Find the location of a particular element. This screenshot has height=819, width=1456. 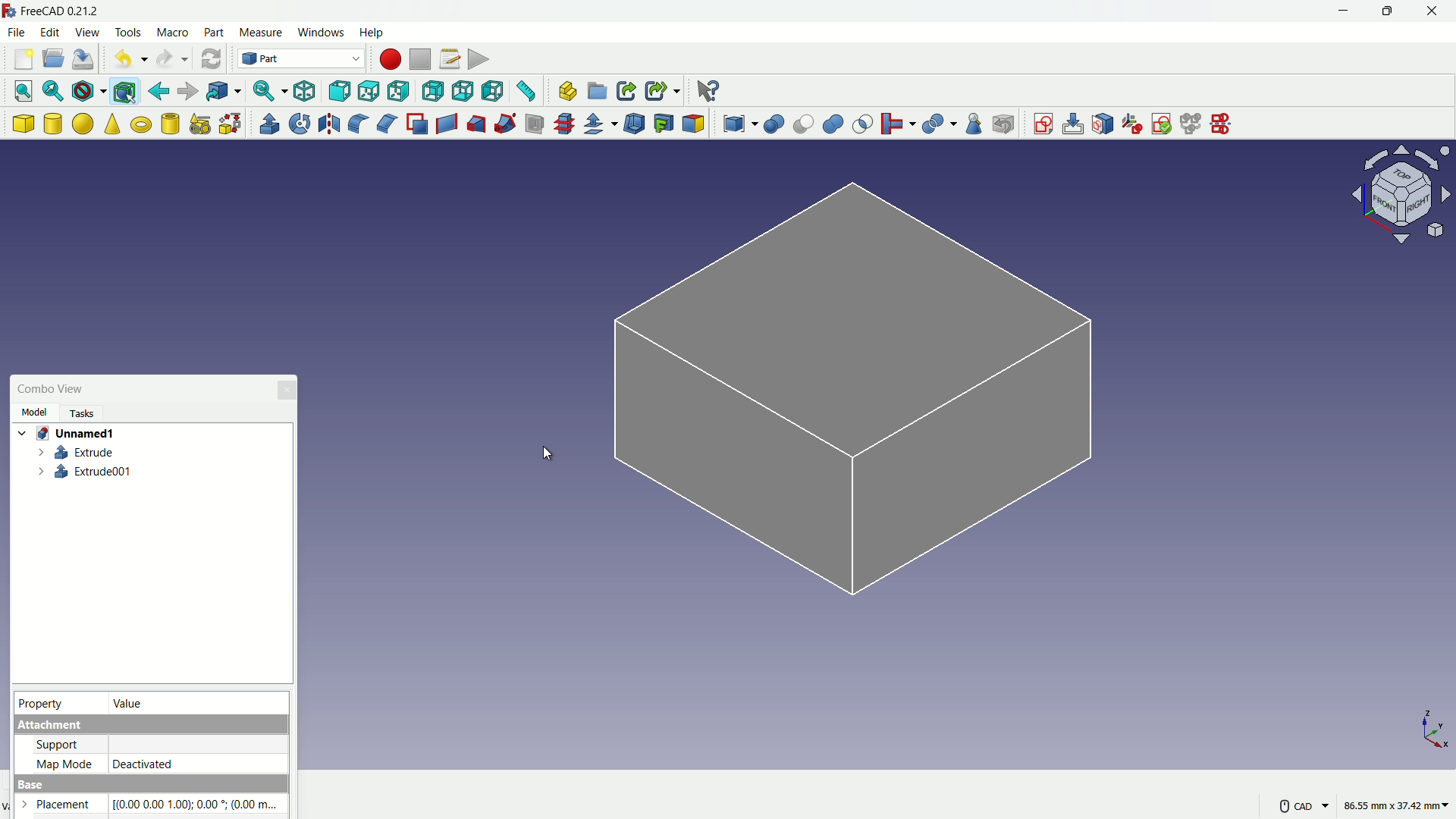

cross section is located at coordinates (567, 123).